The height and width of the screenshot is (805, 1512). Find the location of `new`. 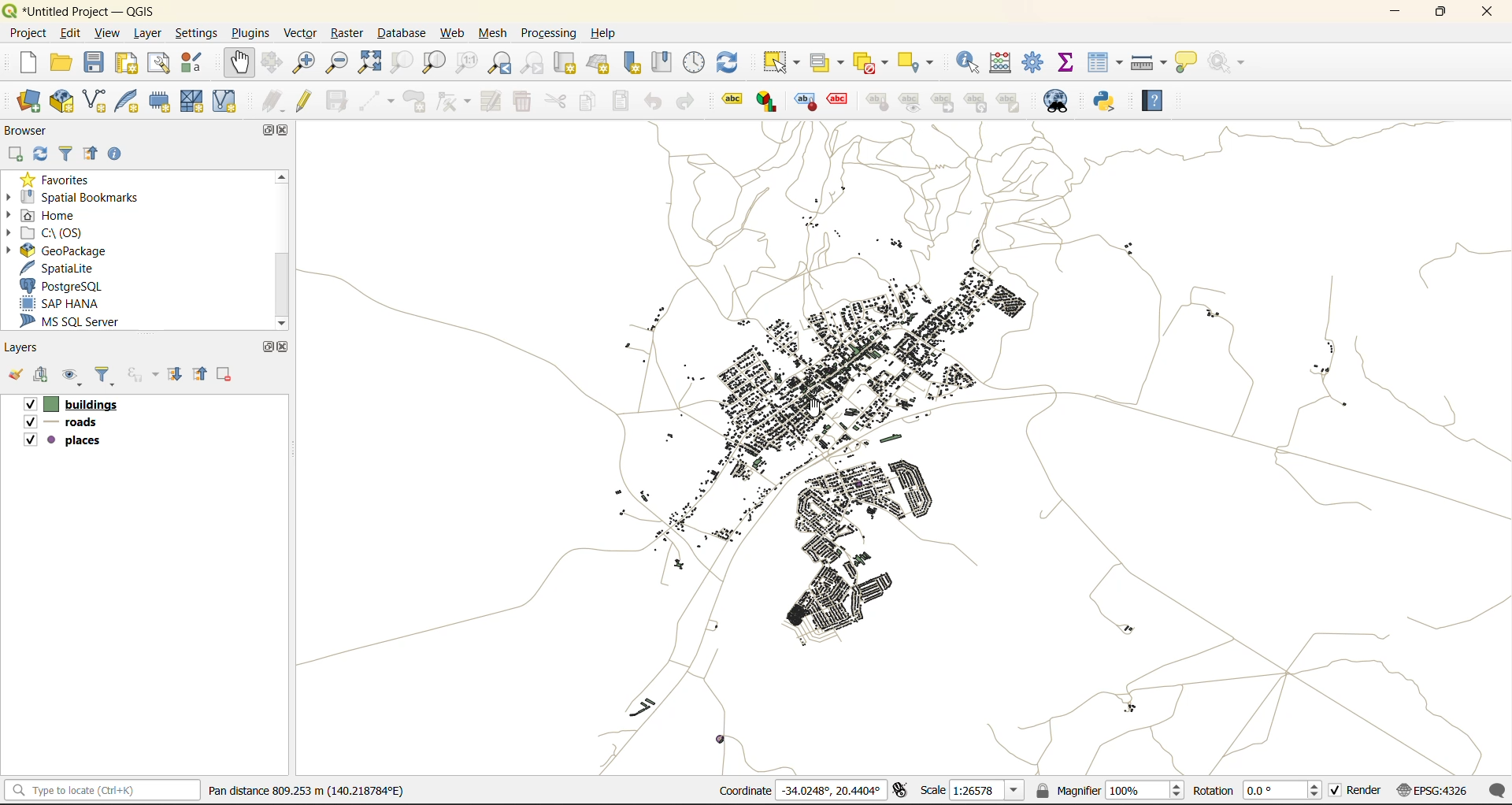

new is located at coordinates (20, 63).